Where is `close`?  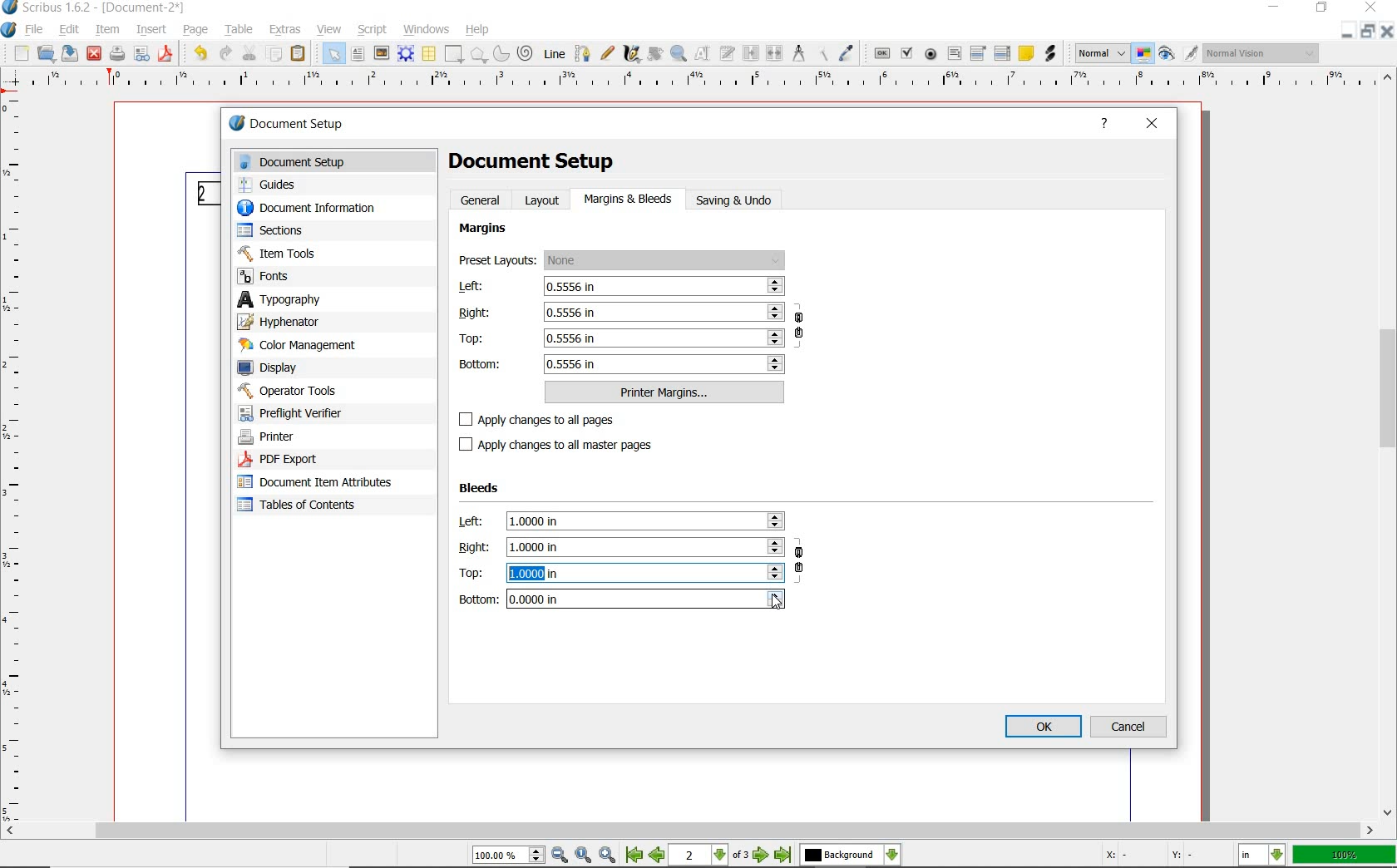
close is located at coordinates (1154, 121).